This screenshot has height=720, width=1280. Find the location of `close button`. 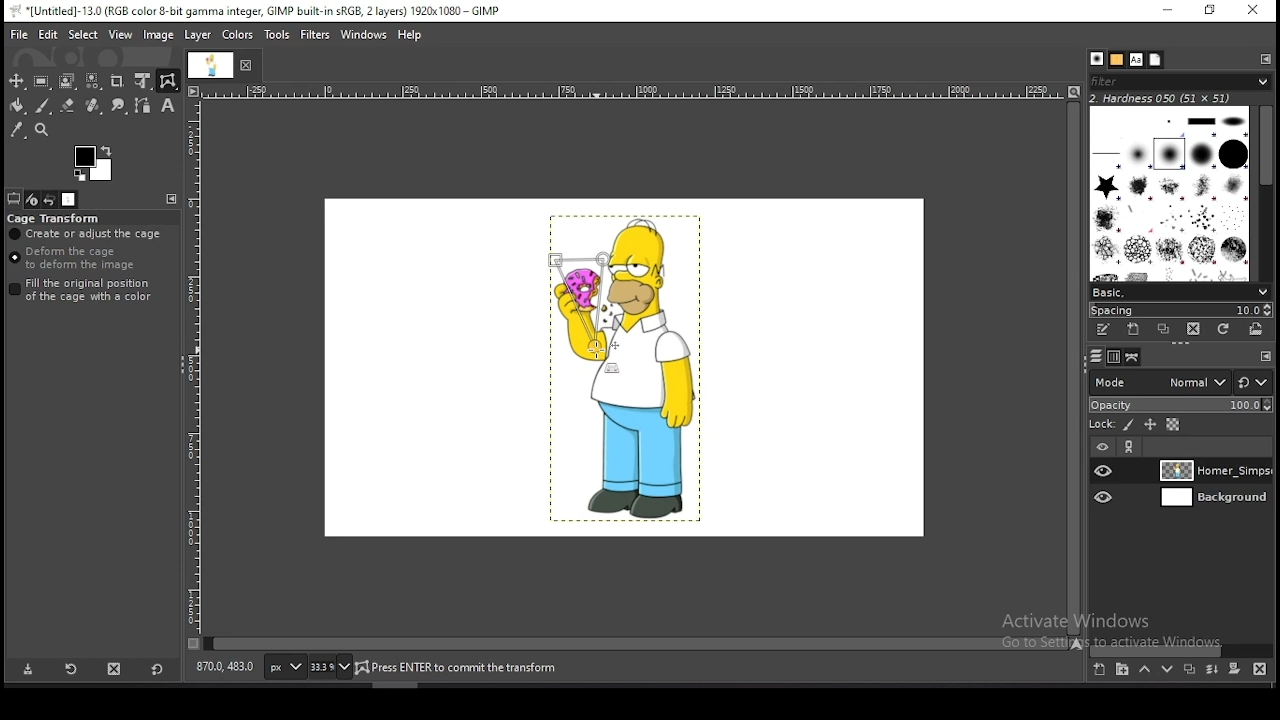

close button is located at coordinates (248, 67).